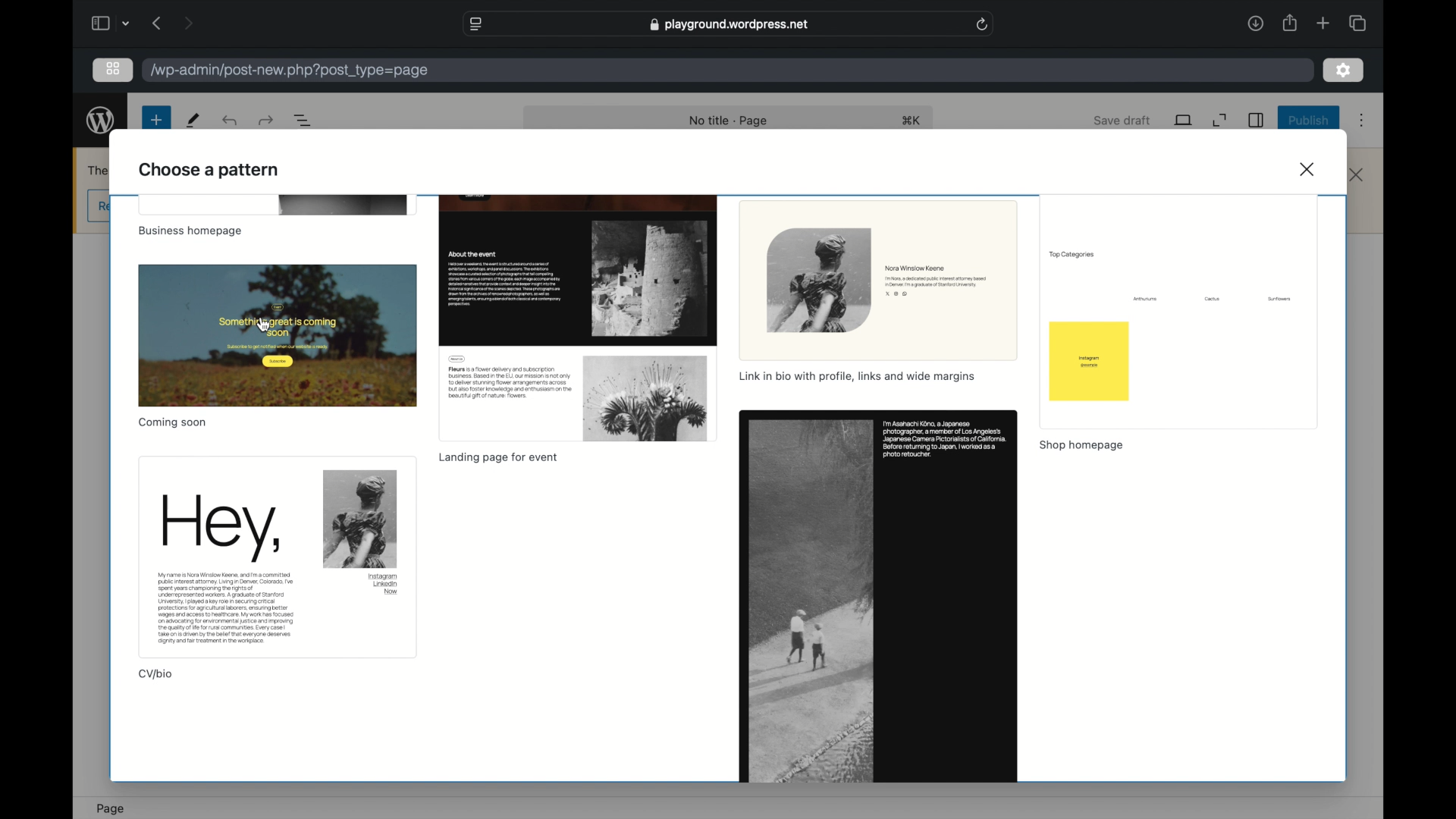 This screenshot has height=819, width=1456. I want to click on undo, so click(265, 121).